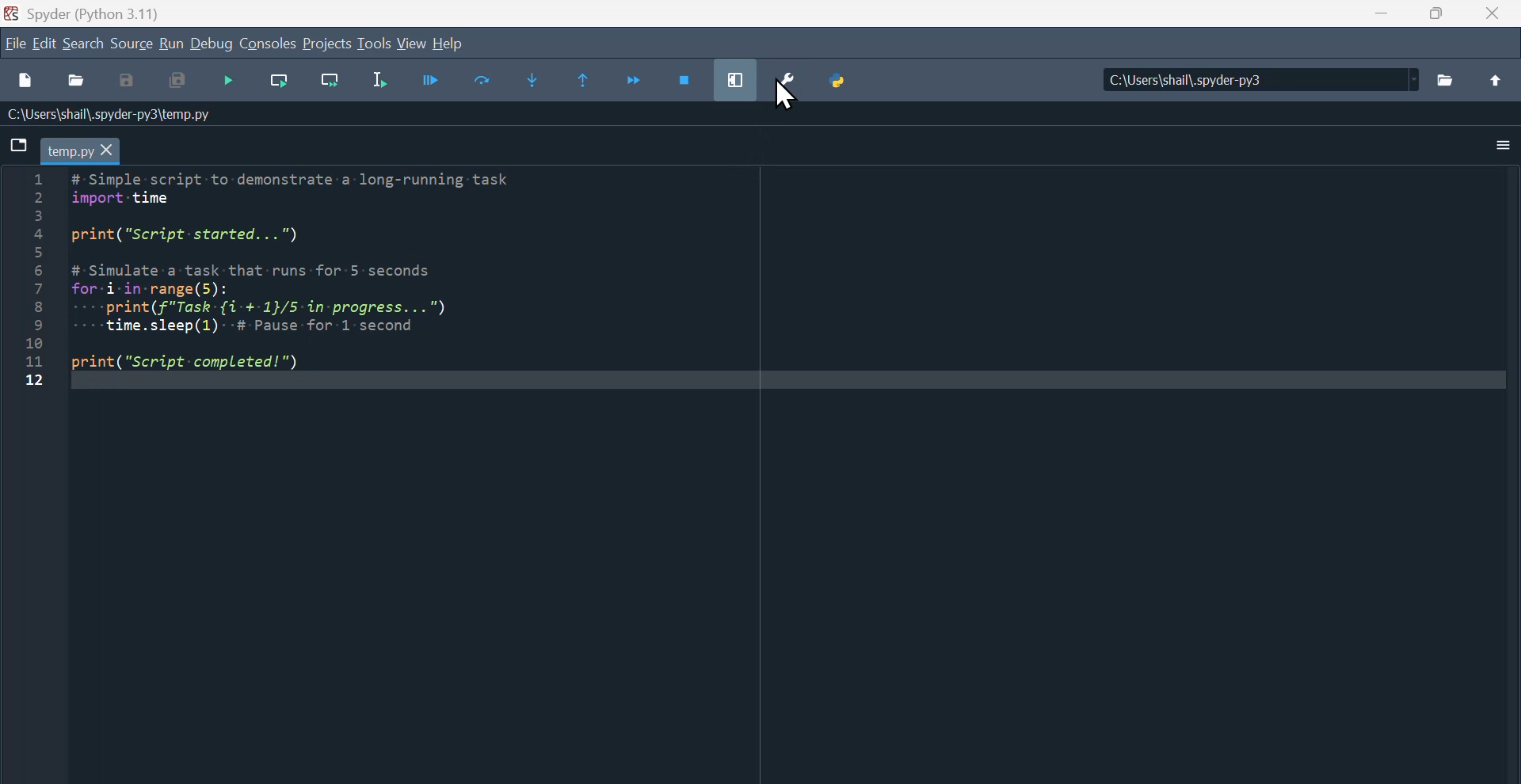 Image resolution: width=1521 pixels, height=784 pixels. Describe the element at coordinates (639, 76) in the screenshot. I see `Continue execution until next function` at that location.